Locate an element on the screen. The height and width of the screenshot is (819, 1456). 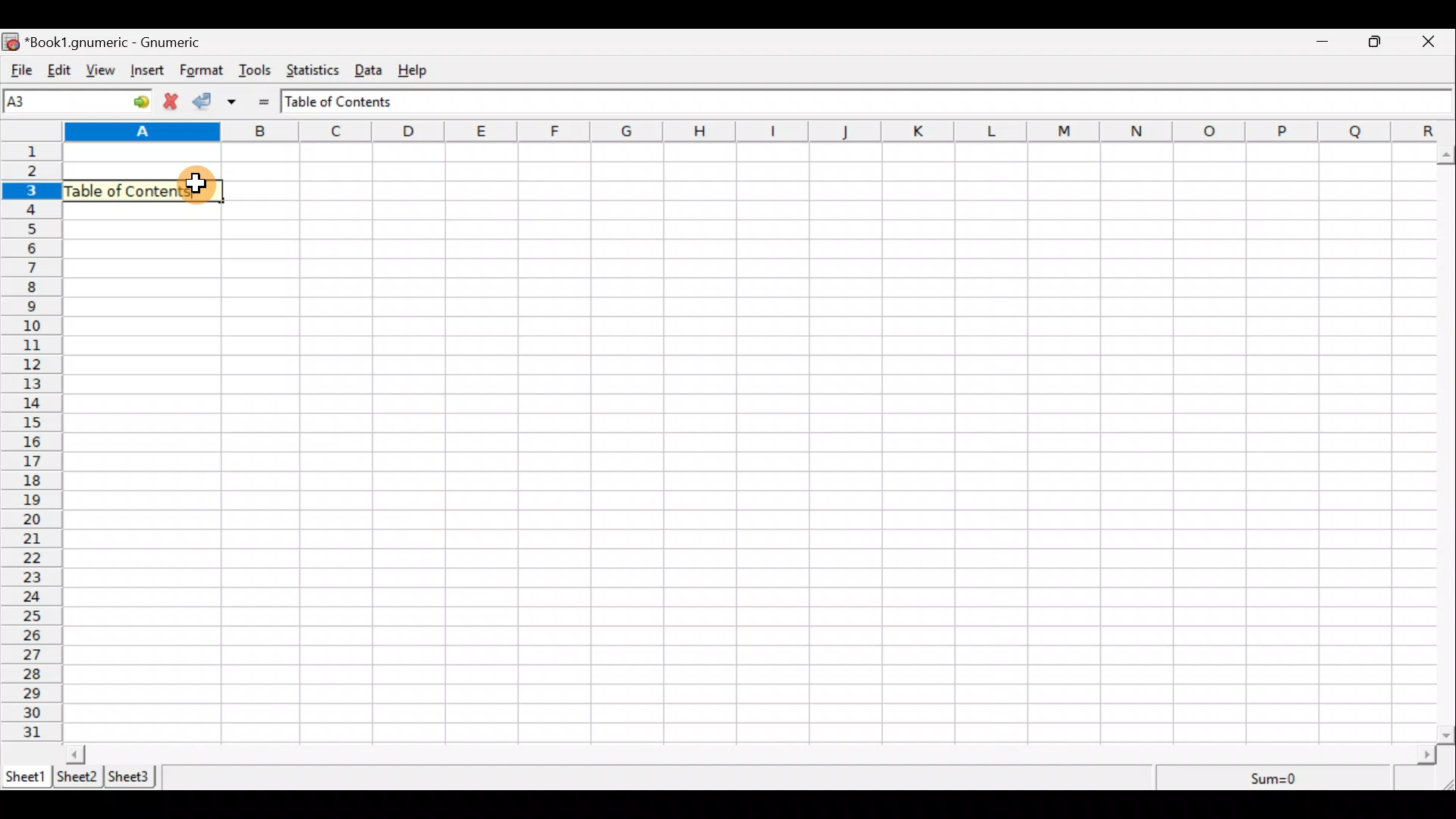
Sum=0 is located at coordinates (1276, 780).